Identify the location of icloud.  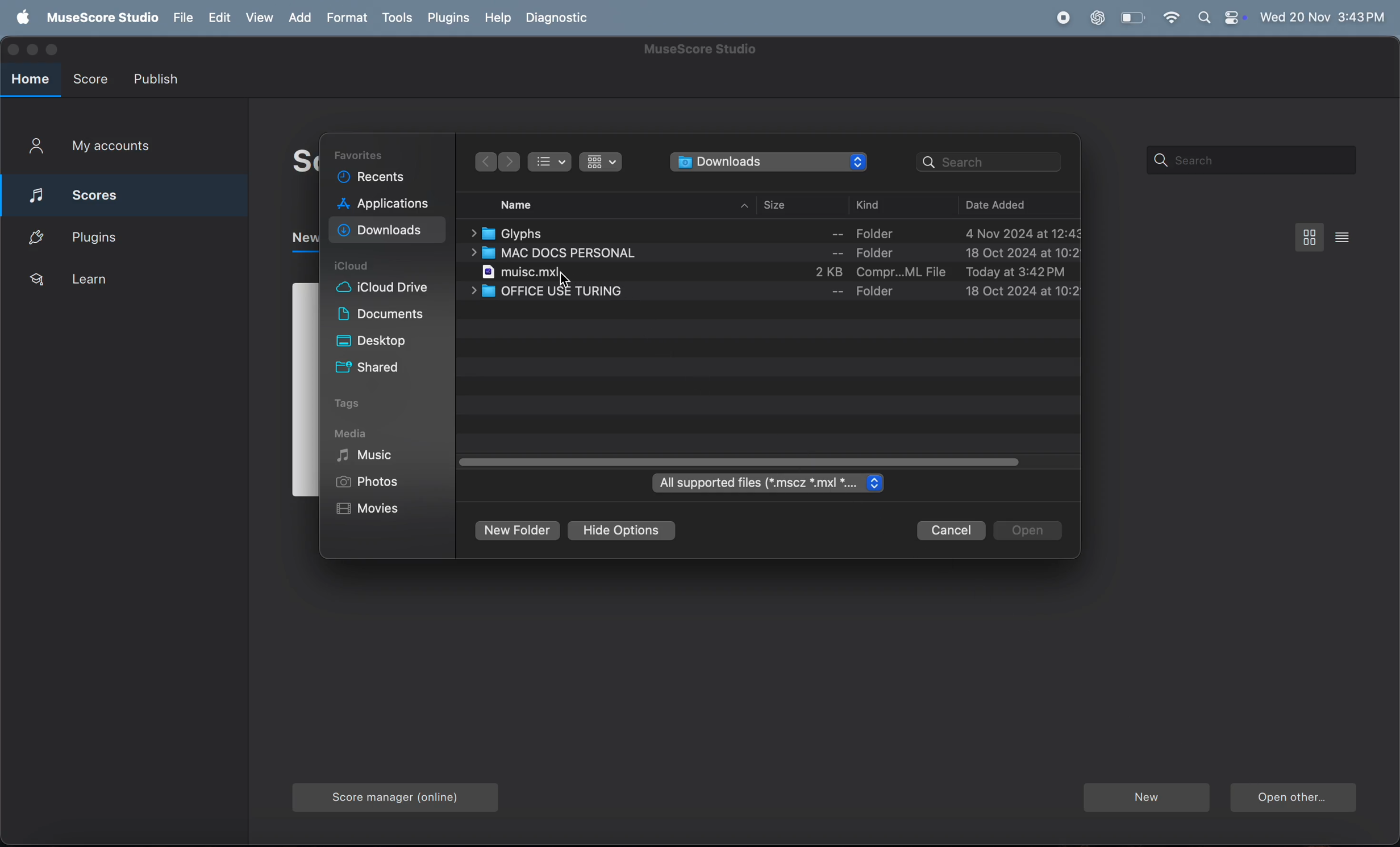
(358, 267).